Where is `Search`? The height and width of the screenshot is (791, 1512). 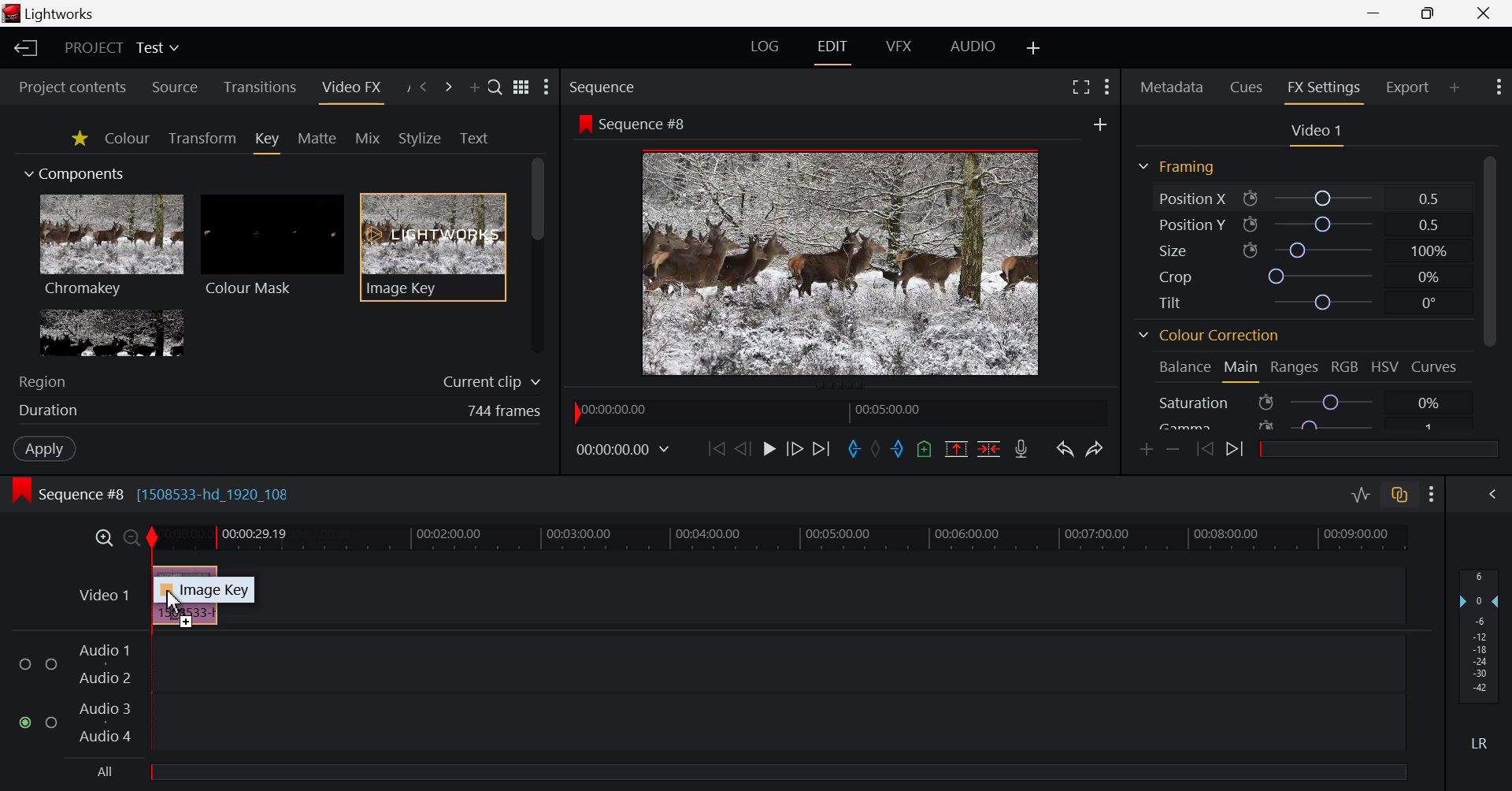
Search is located at coordinates (495, 87).